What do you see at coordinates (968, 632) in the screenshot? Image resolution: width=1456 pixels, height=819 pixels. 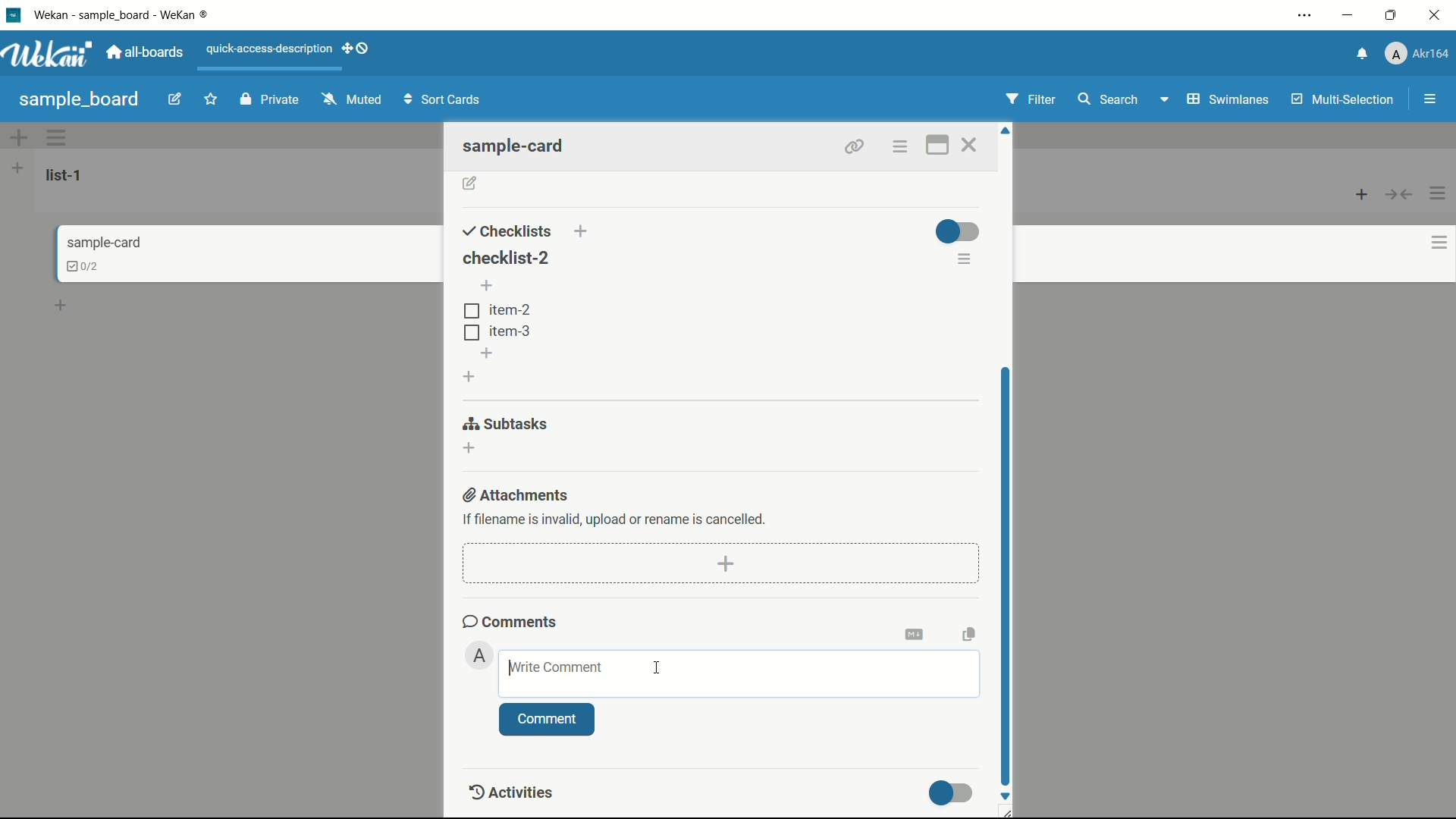 I see `copy text to clipboard` at bounding box center [968, 632].